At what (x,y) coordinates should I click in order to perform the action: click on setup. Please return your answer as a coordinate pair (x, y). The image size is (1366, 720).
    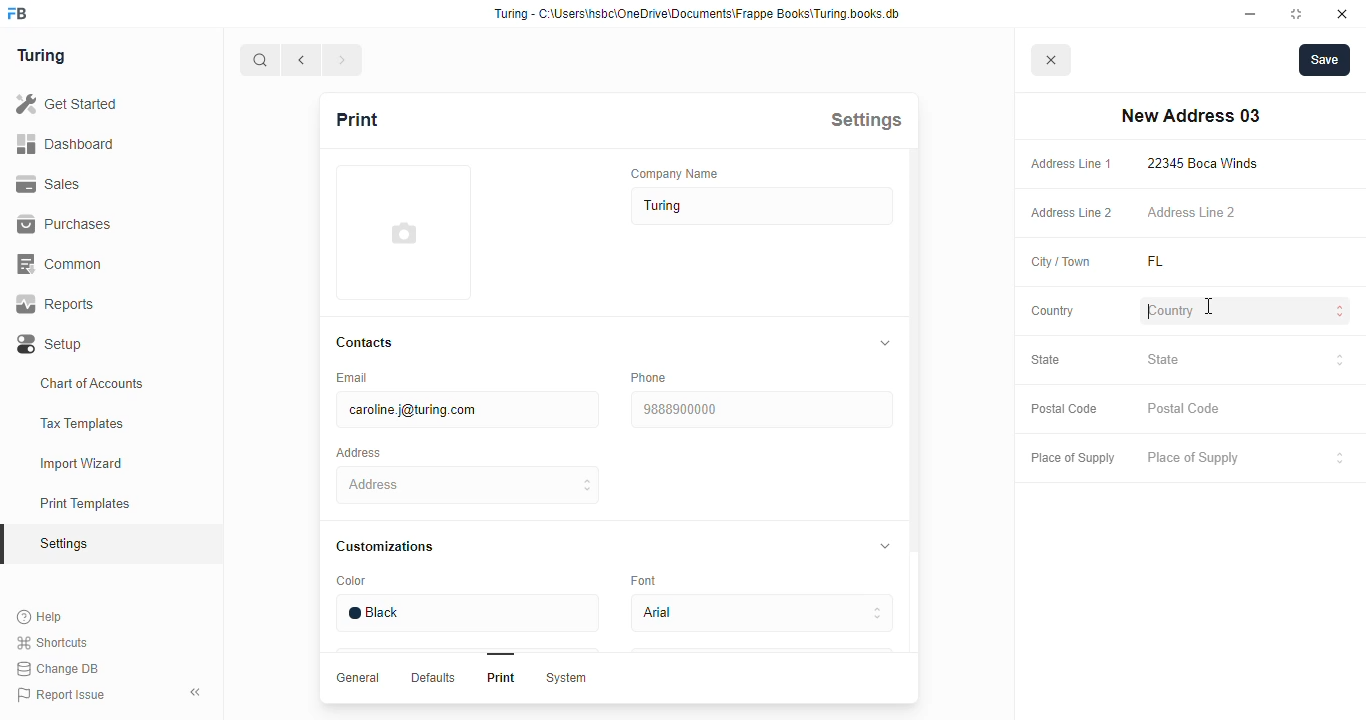
    Looking at the image, I should click on (51, 345).